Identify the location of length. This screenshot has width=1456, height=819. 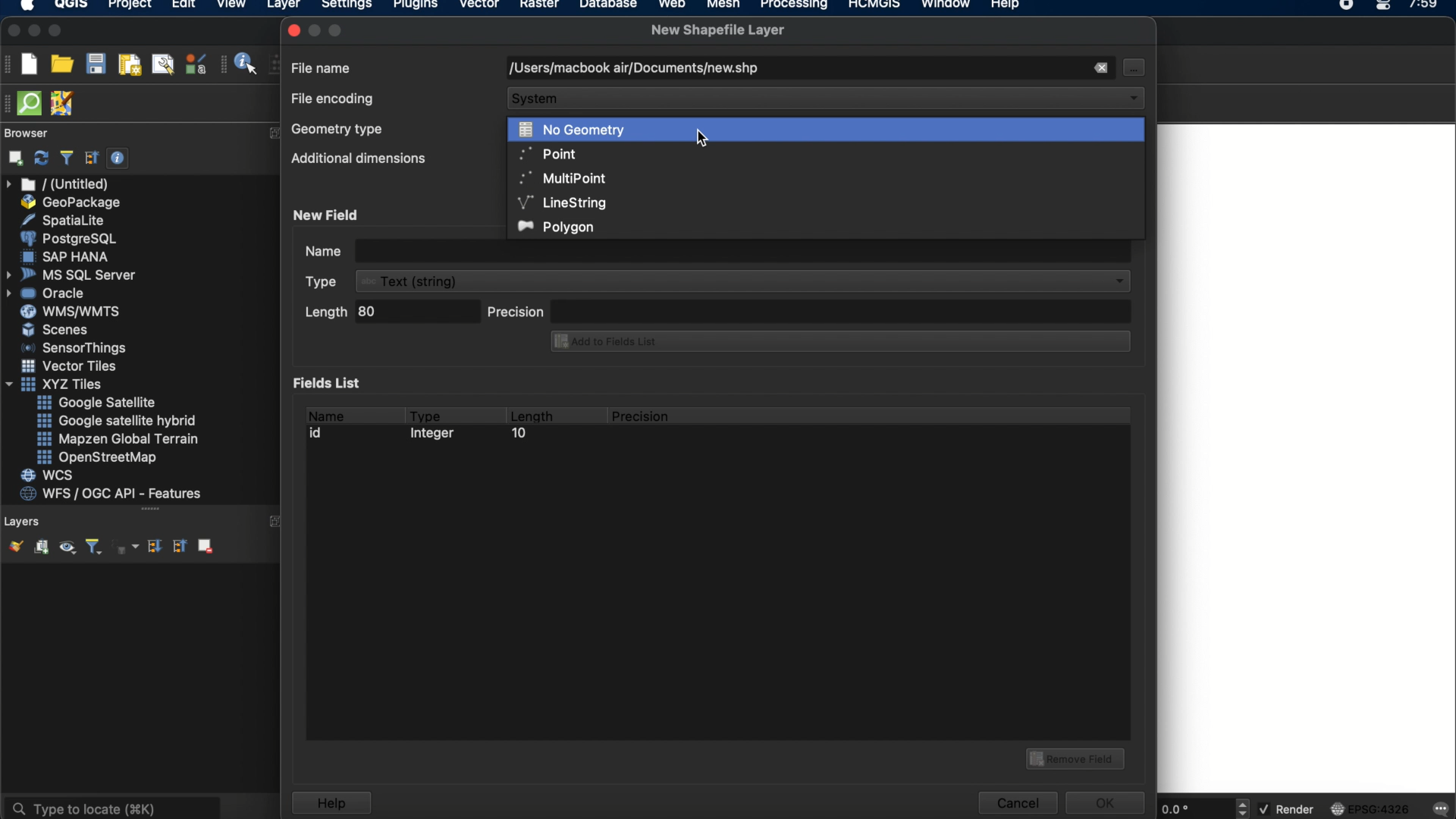
(531, 413).